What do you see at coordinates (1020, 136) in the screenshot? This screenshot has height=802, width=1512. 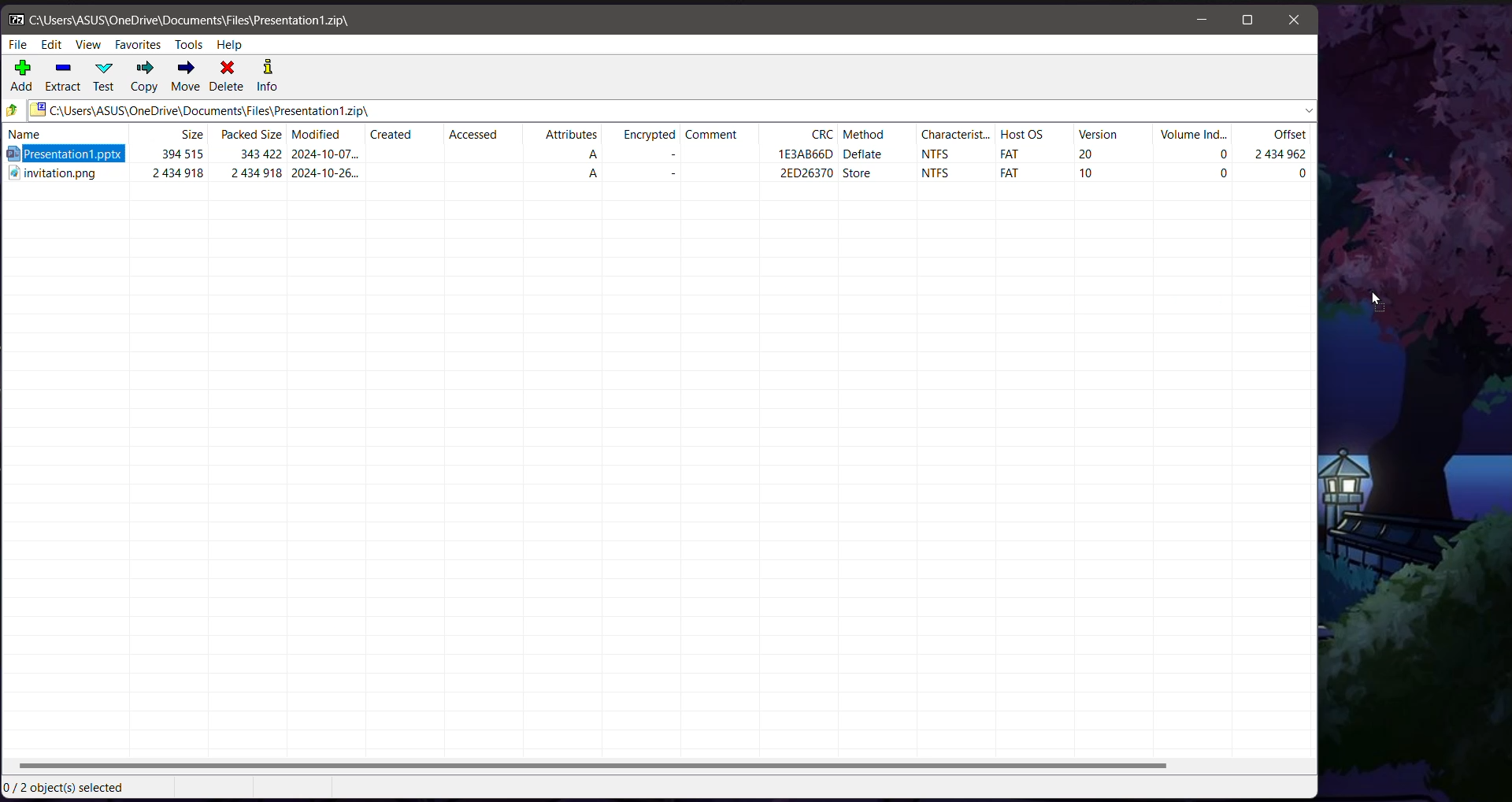 I see `Host OS` at bounding box center [1020, 136].